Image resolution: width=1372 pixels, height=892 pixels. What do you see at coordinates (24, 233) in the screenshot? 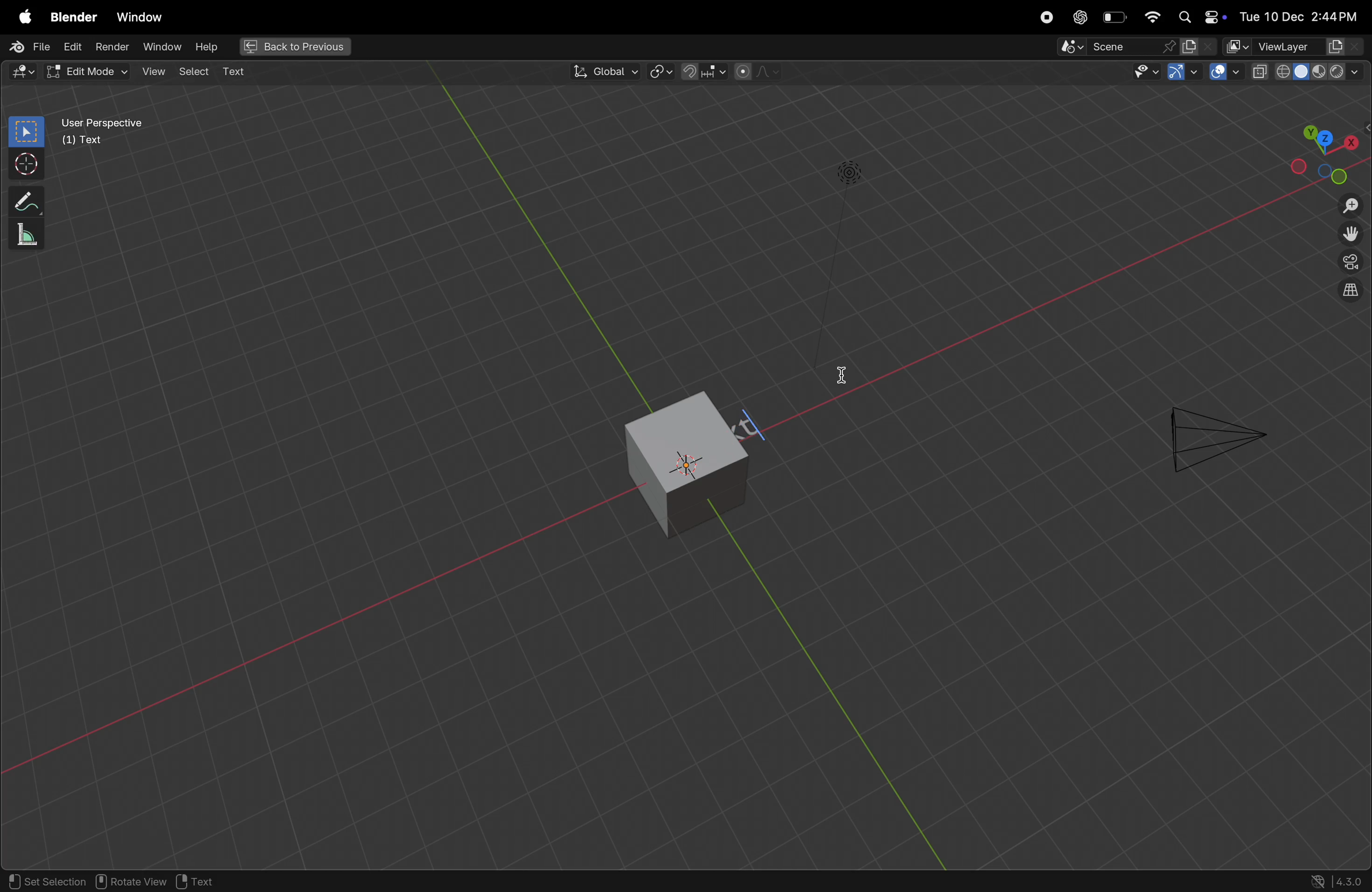
I see `rotate ` at bounding box center [24, 233].